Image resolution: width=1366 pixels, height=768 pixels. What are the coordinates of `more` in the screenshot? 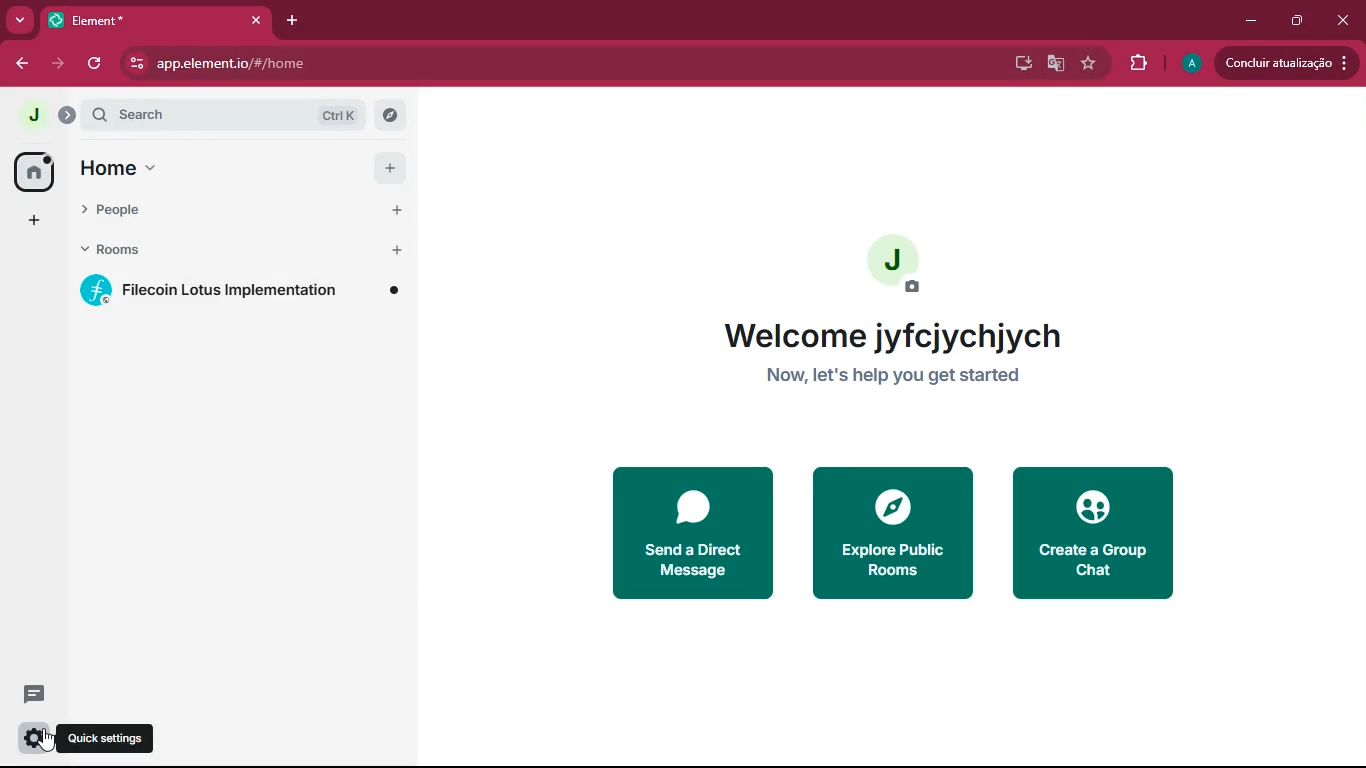 It's located at (22, 21).